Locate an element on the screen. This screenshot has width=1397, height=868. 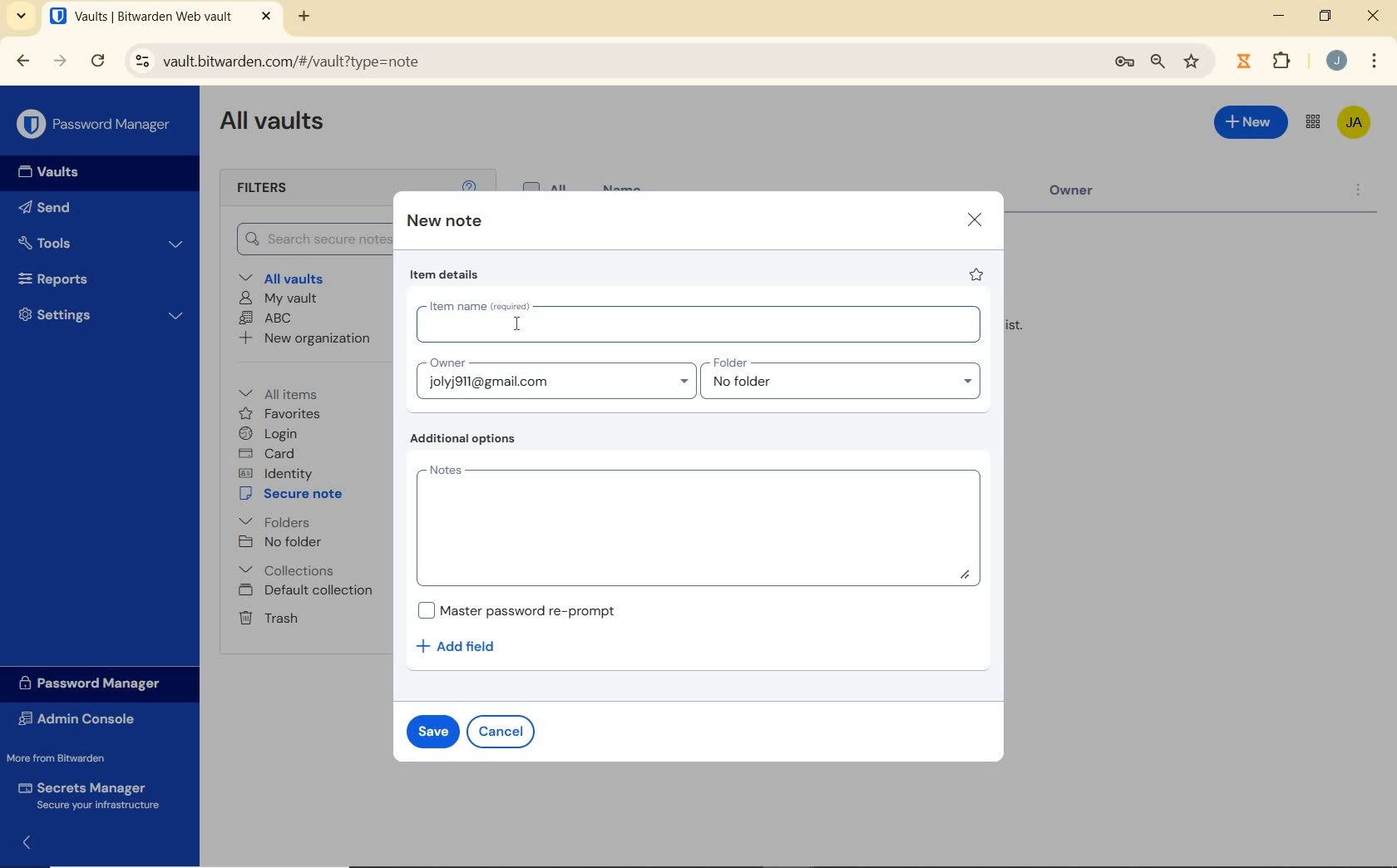
All Vaults is located at coordinates (273, 124).